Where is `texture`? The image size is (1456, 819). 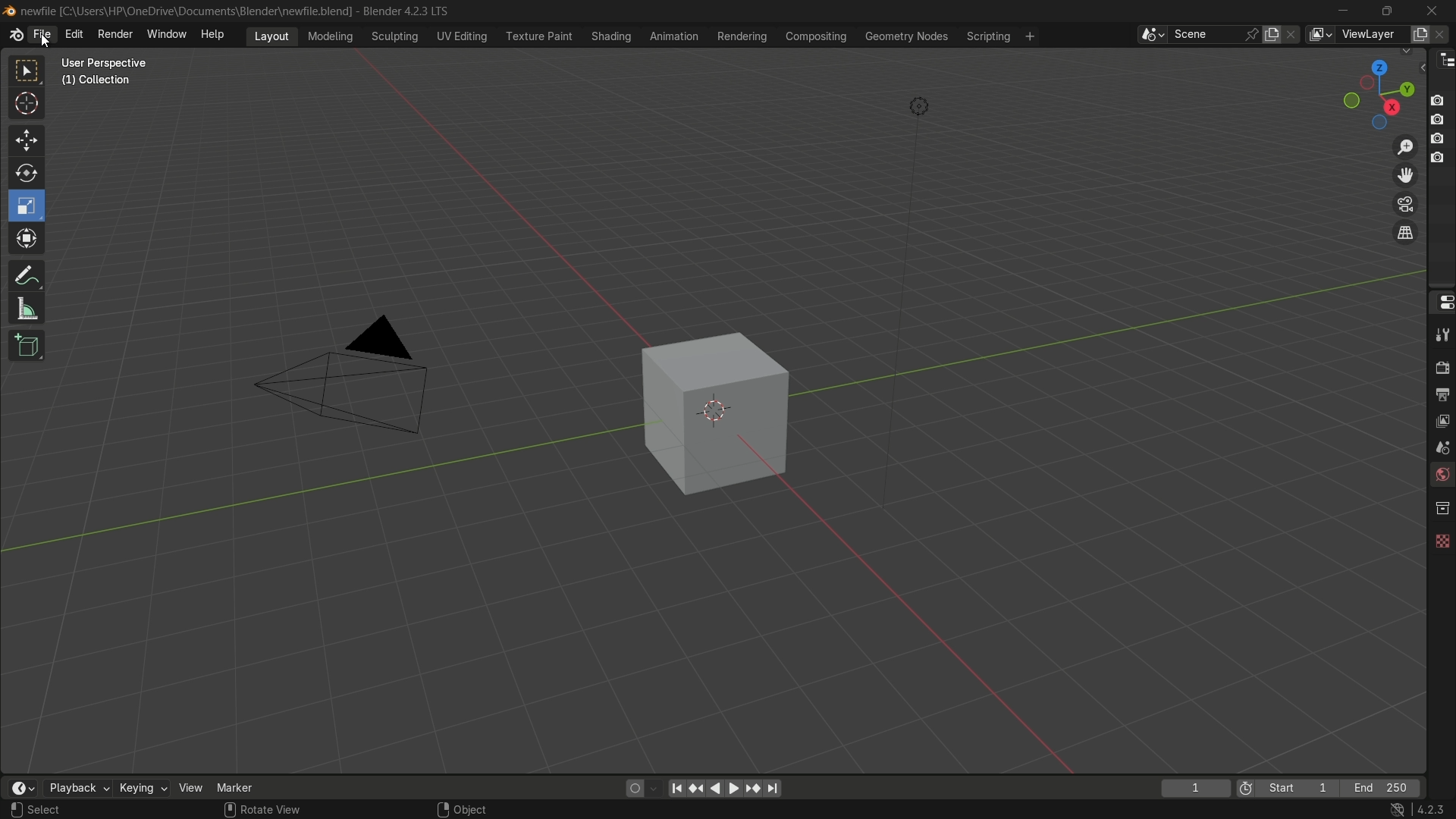 texture is located at coordinates (1441, 538).